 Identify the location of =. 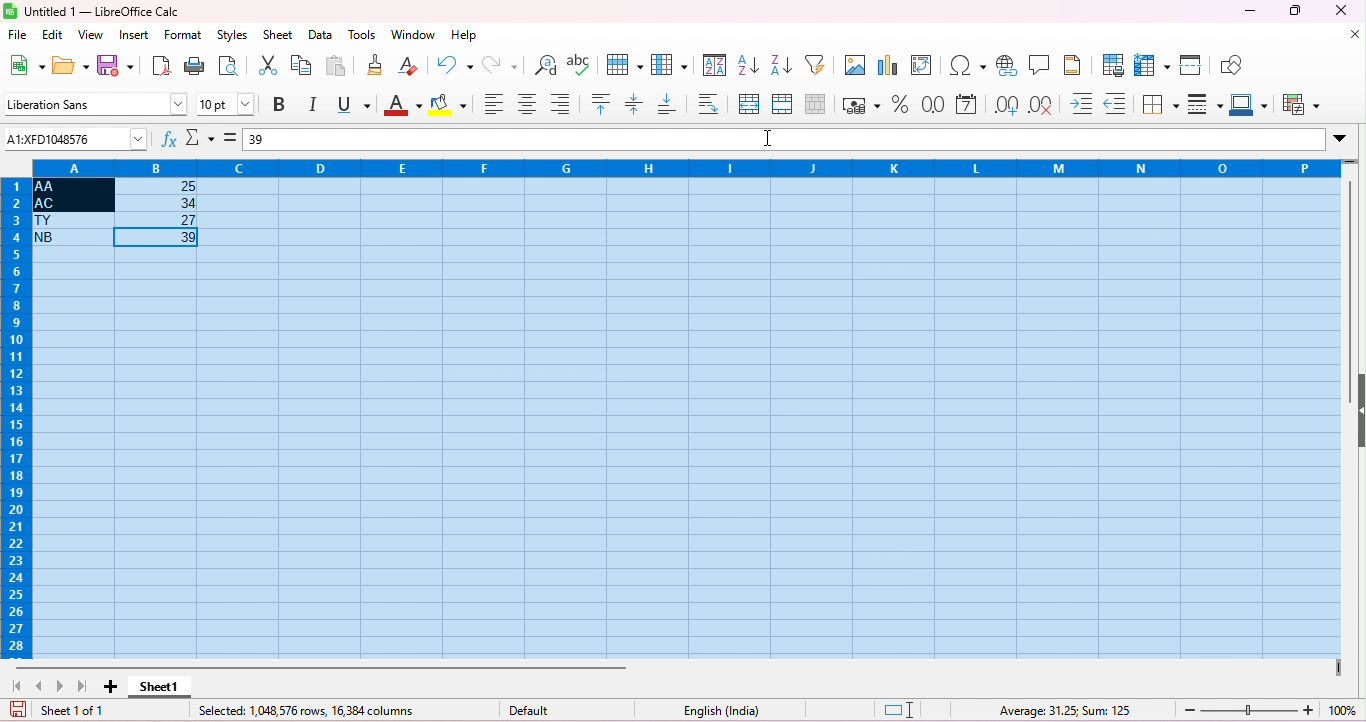
(231, 138).